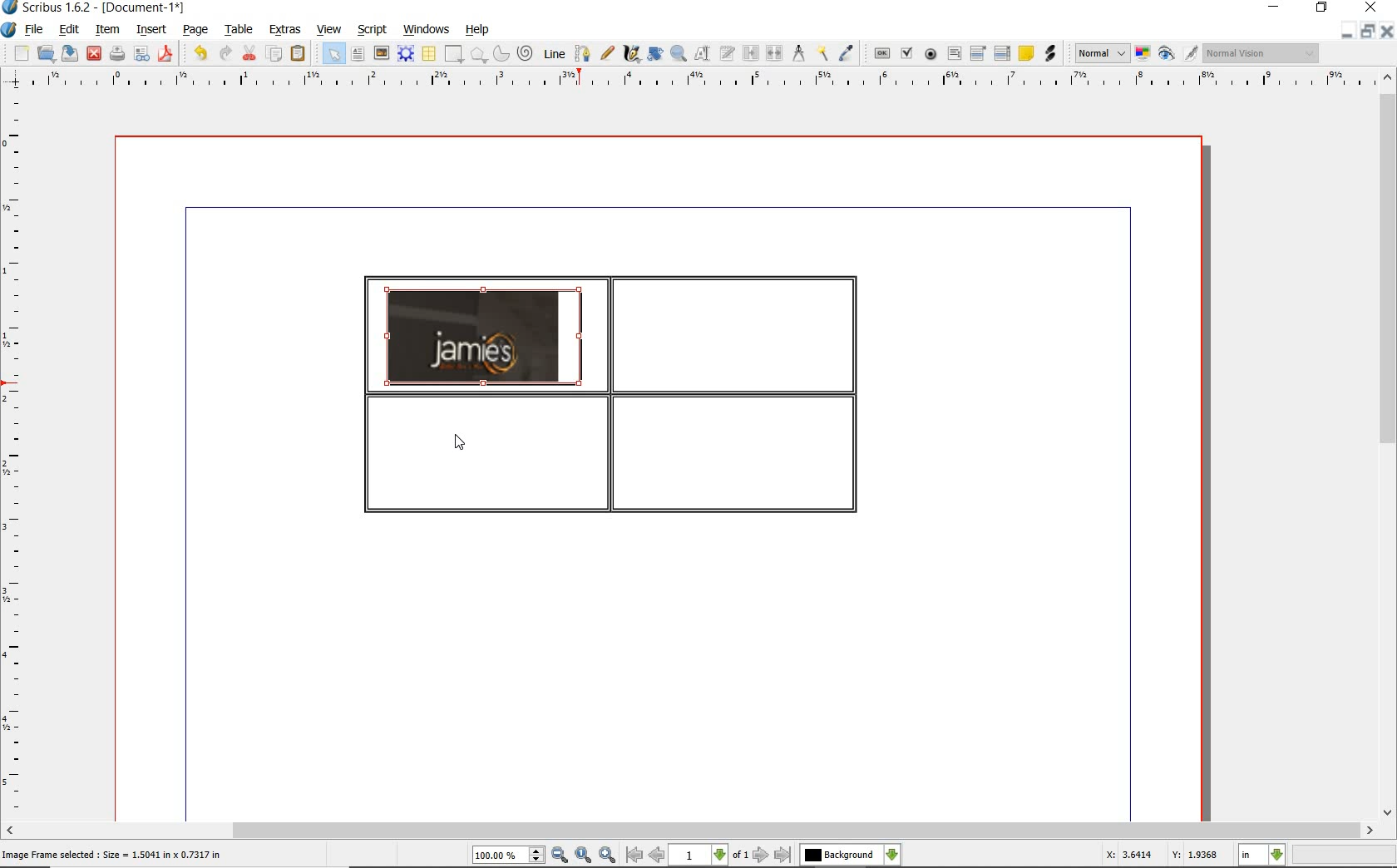  What do you see at coordinates (200, 53) in the screenshot?
I see `undo` at bounding box center [200, 53].